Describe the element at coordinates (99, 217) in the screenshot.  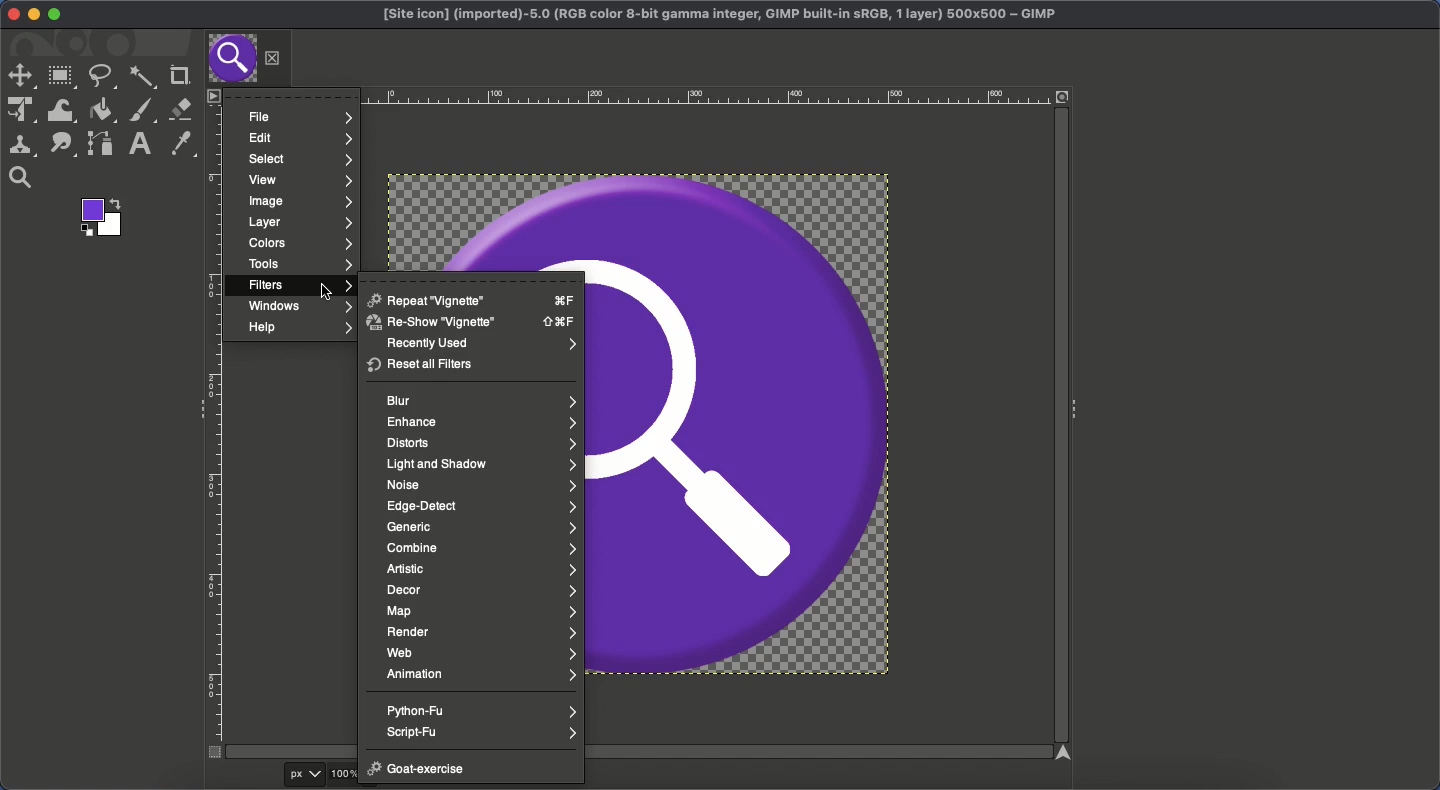
I see `Color` at that location.